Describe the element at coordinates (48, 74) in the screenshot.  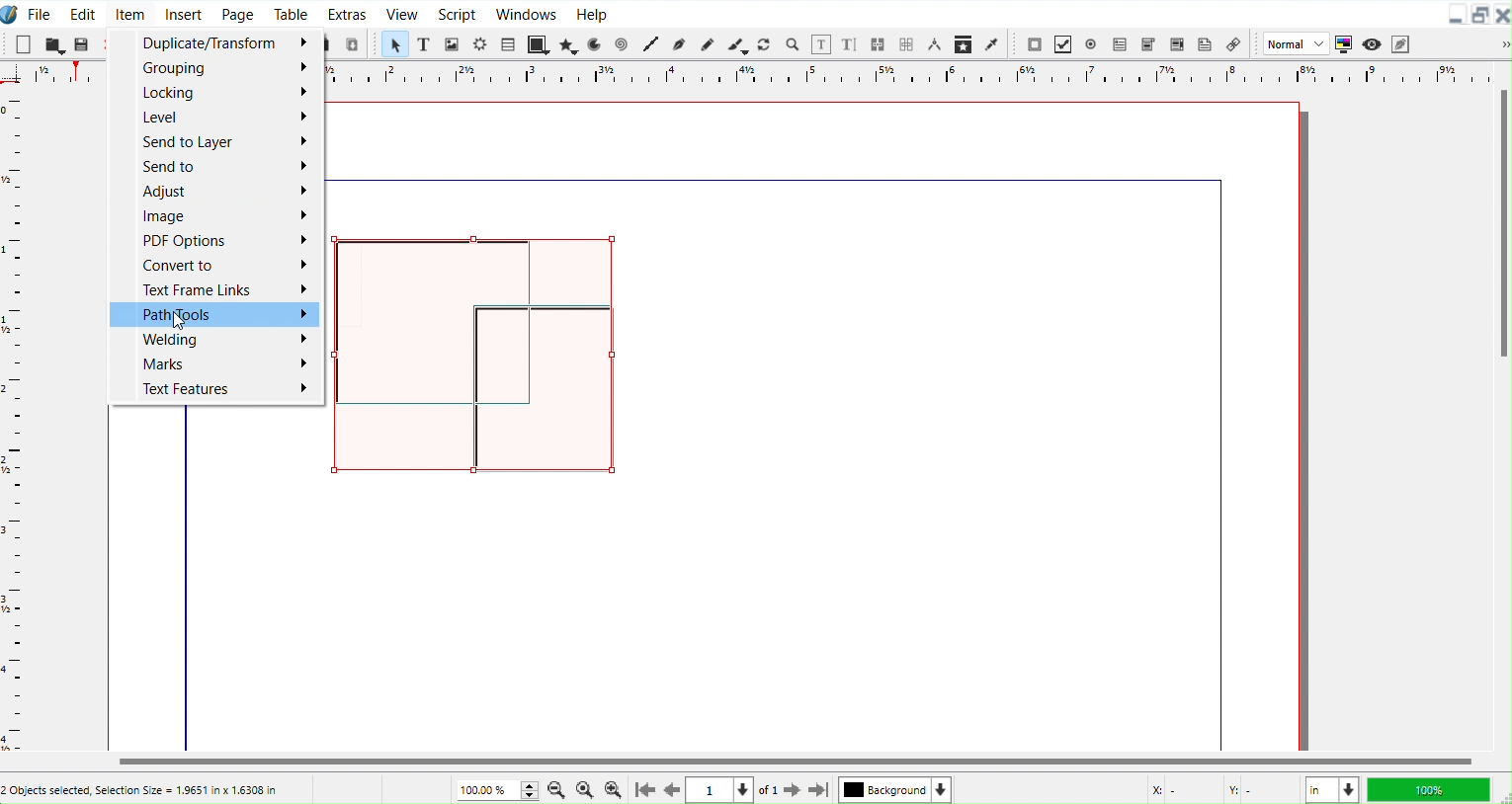
I see `vertical scale` at that location.